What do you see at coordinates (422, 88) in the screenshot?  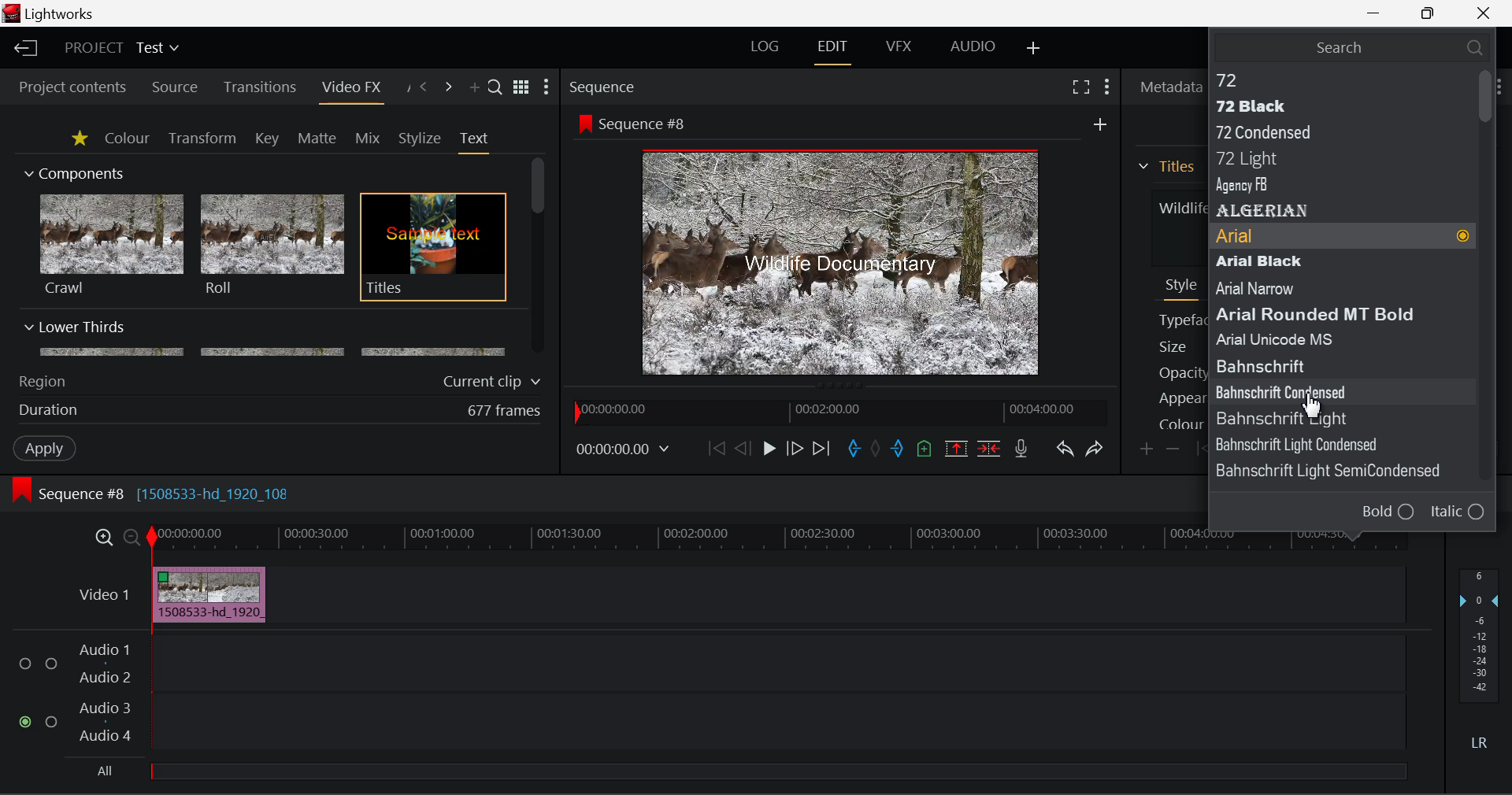 I see `Previous Panel` at bounding box center [422, 88].